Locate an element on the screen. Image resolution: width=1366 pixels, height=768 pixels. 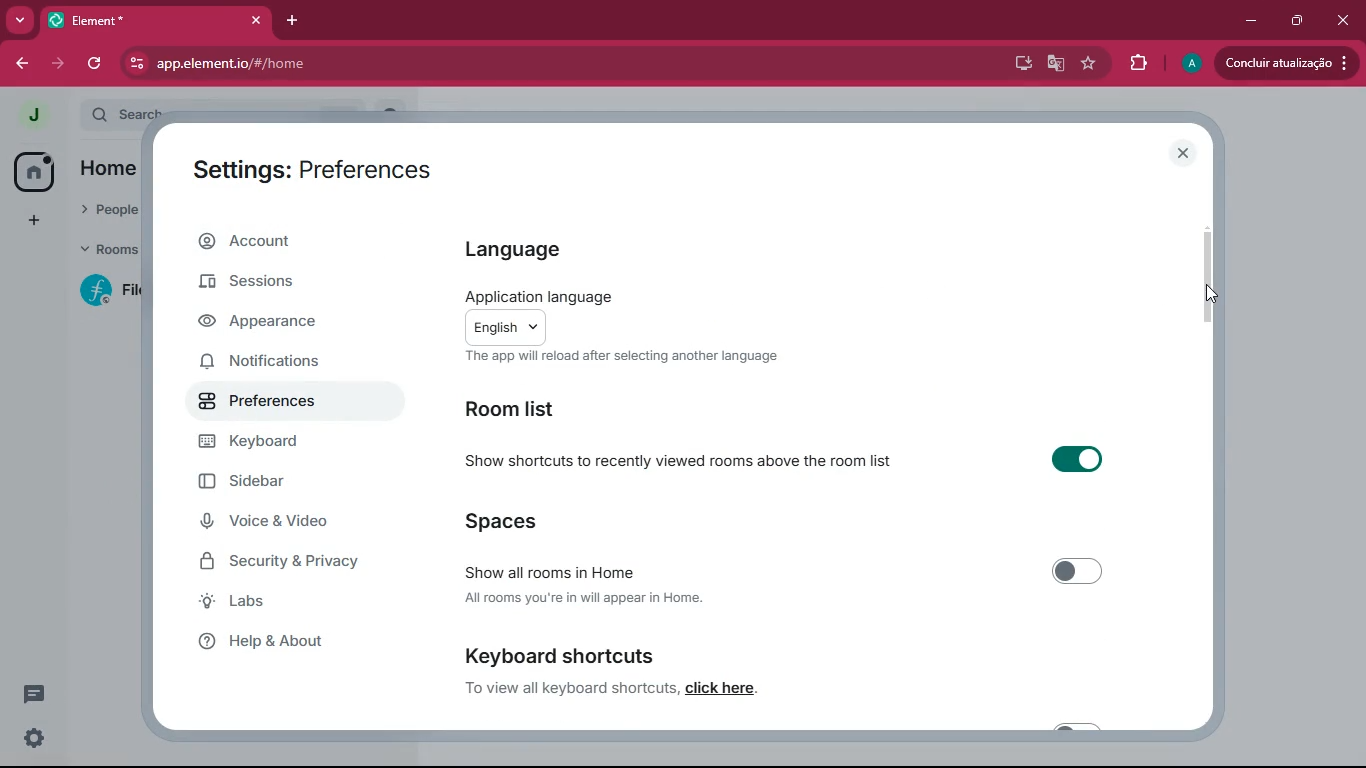
forward is located at coordinates (61, 64).